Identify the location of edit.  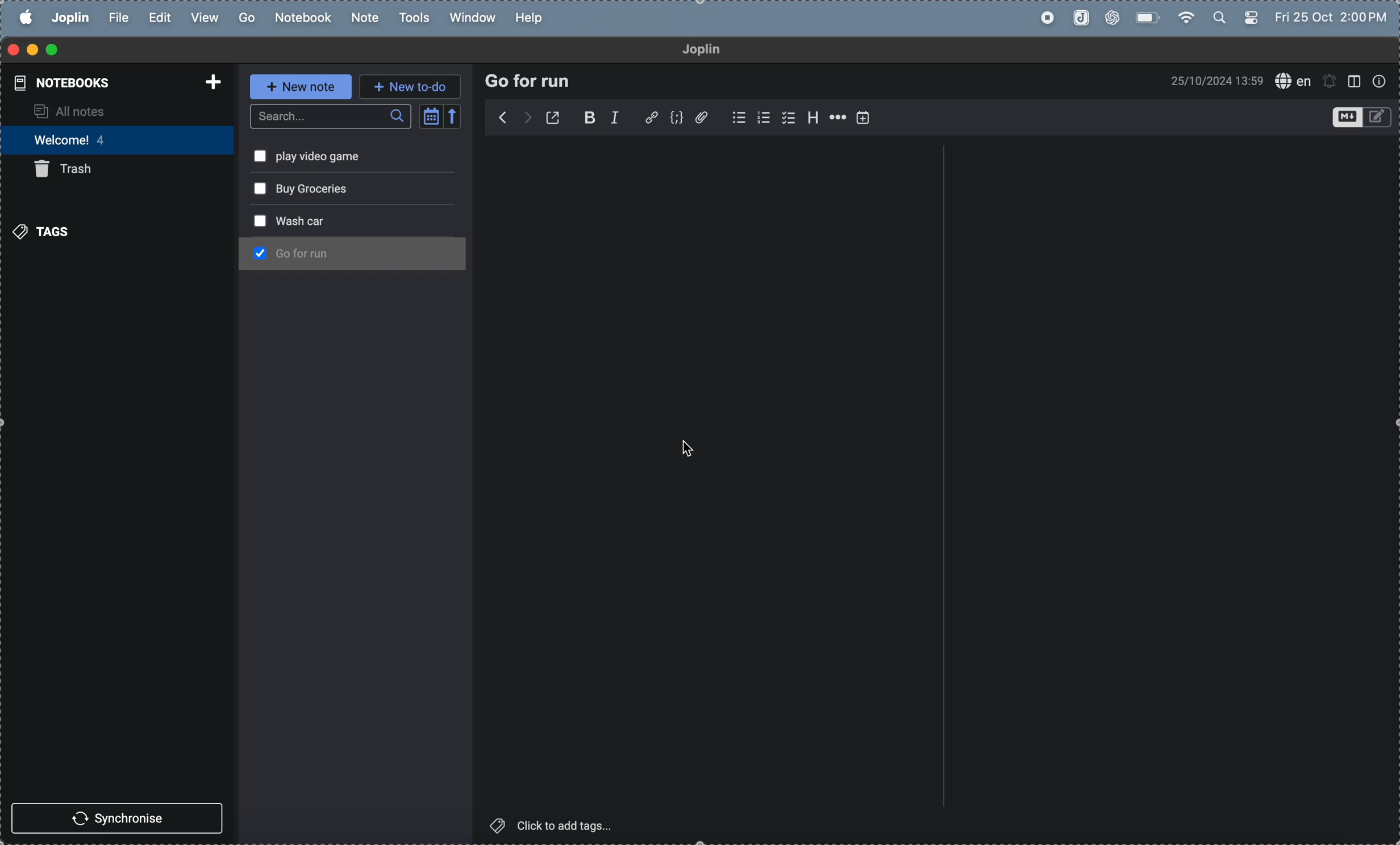
(155, 18).